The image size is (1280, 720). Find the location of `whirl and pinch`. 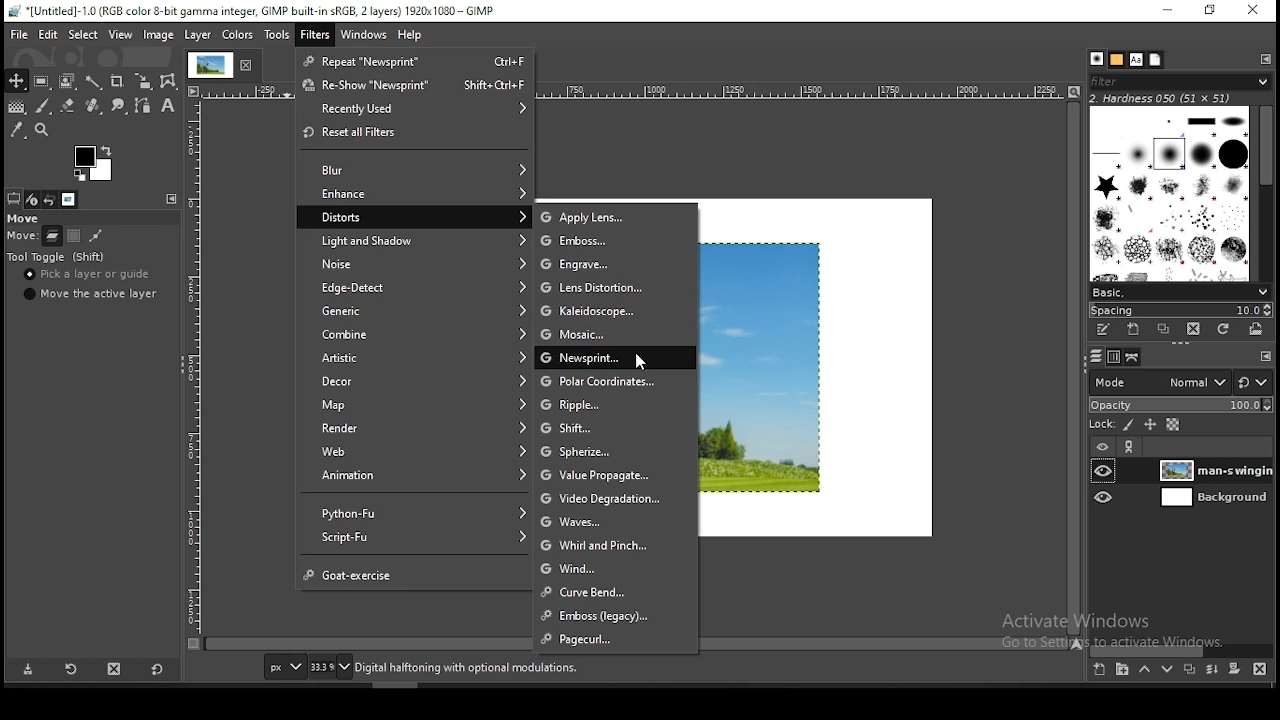

whirl and pinch is located at coordinates (614, 546).